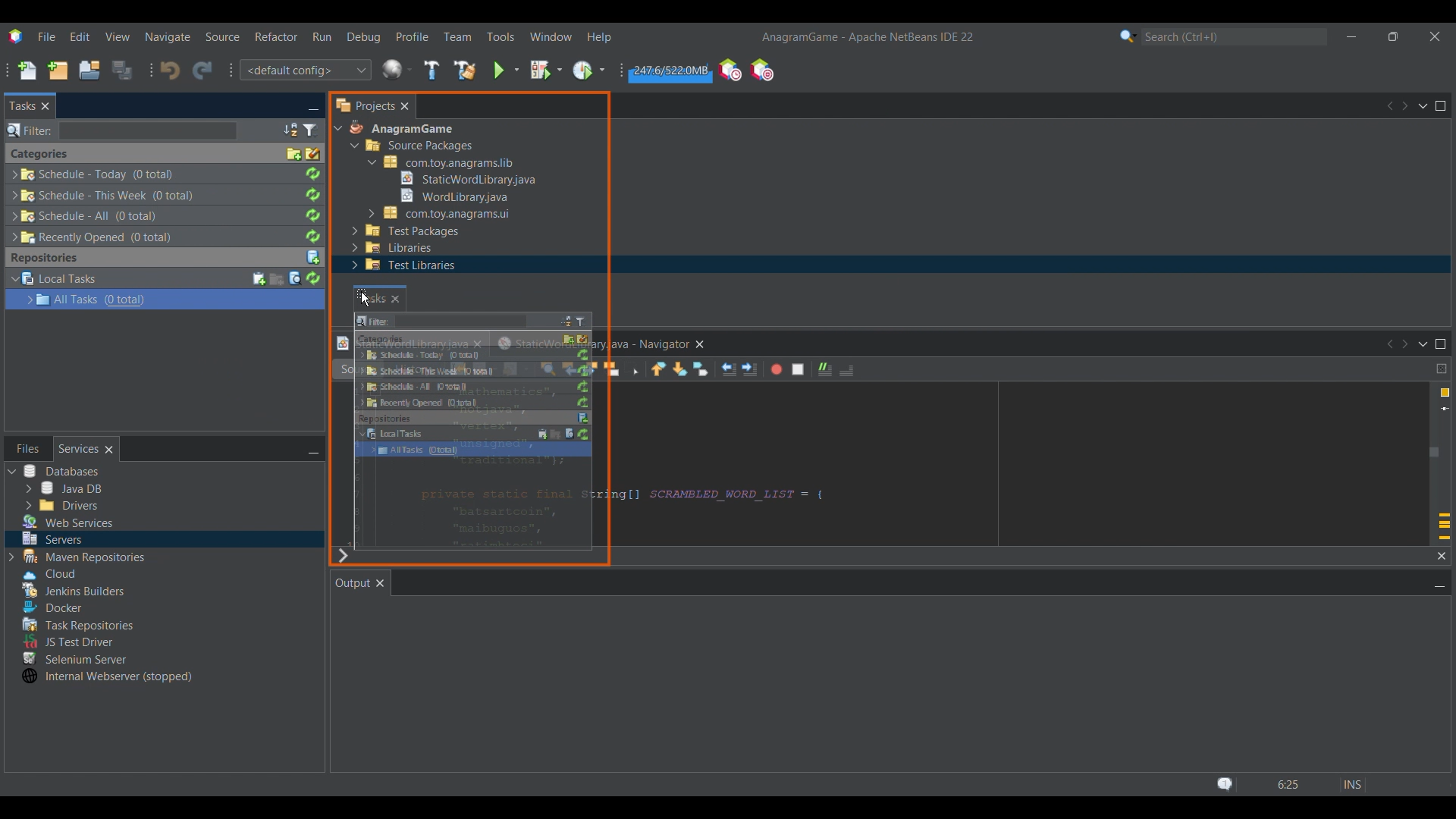  I want to click on Team menu, so click(458, 36).